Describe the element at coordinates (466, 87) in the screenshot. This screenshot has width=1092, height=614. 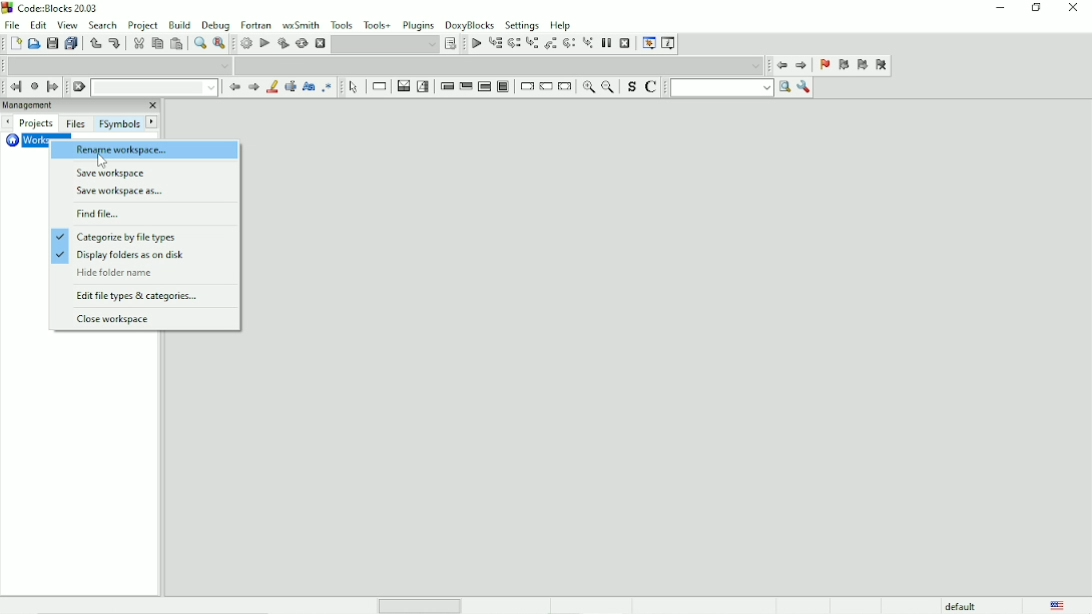
I see `Exit condition loop` at that location.